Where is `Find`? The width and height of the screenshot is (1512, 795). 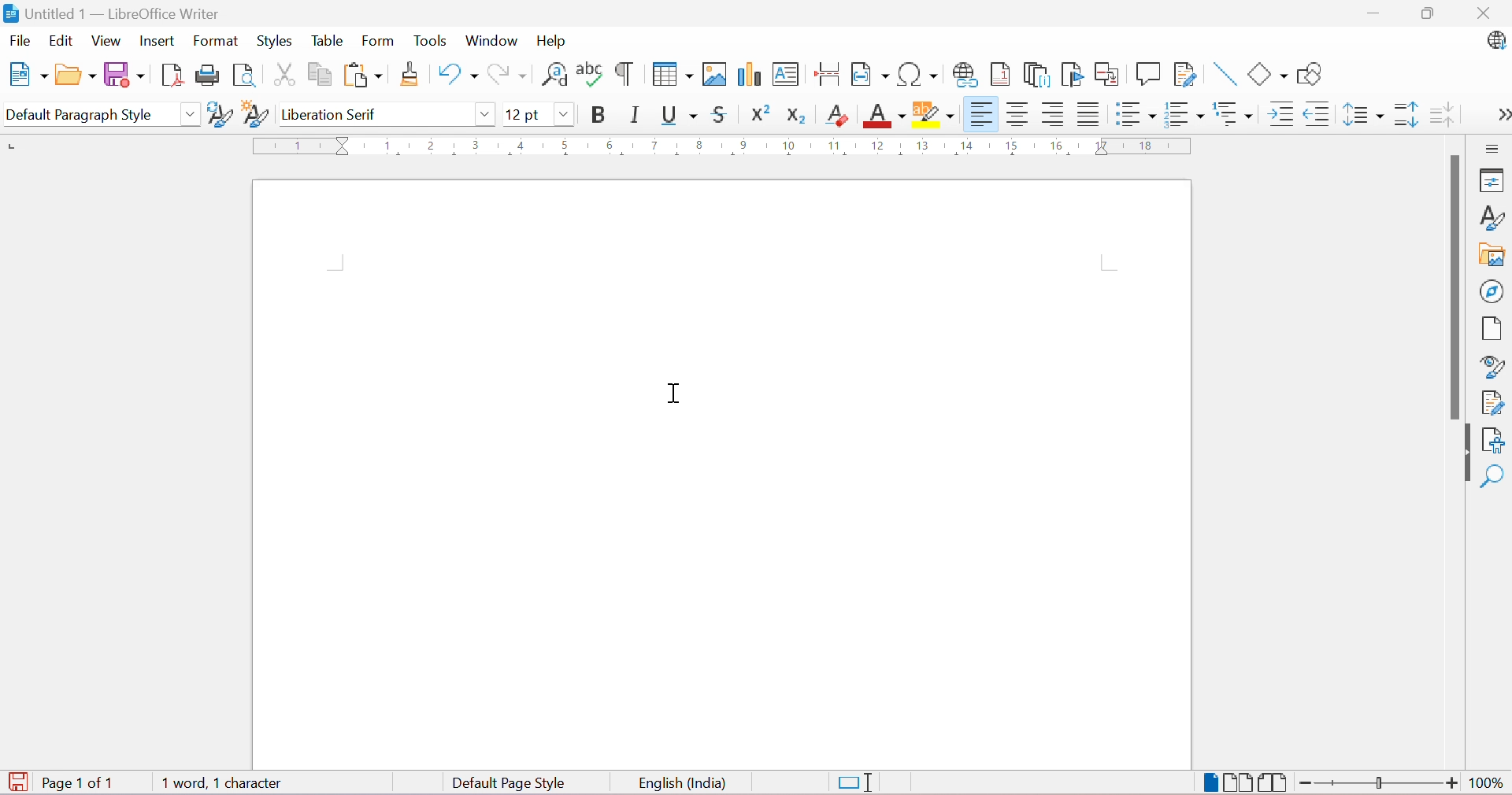 Find is located at coordinates (1492, 475).